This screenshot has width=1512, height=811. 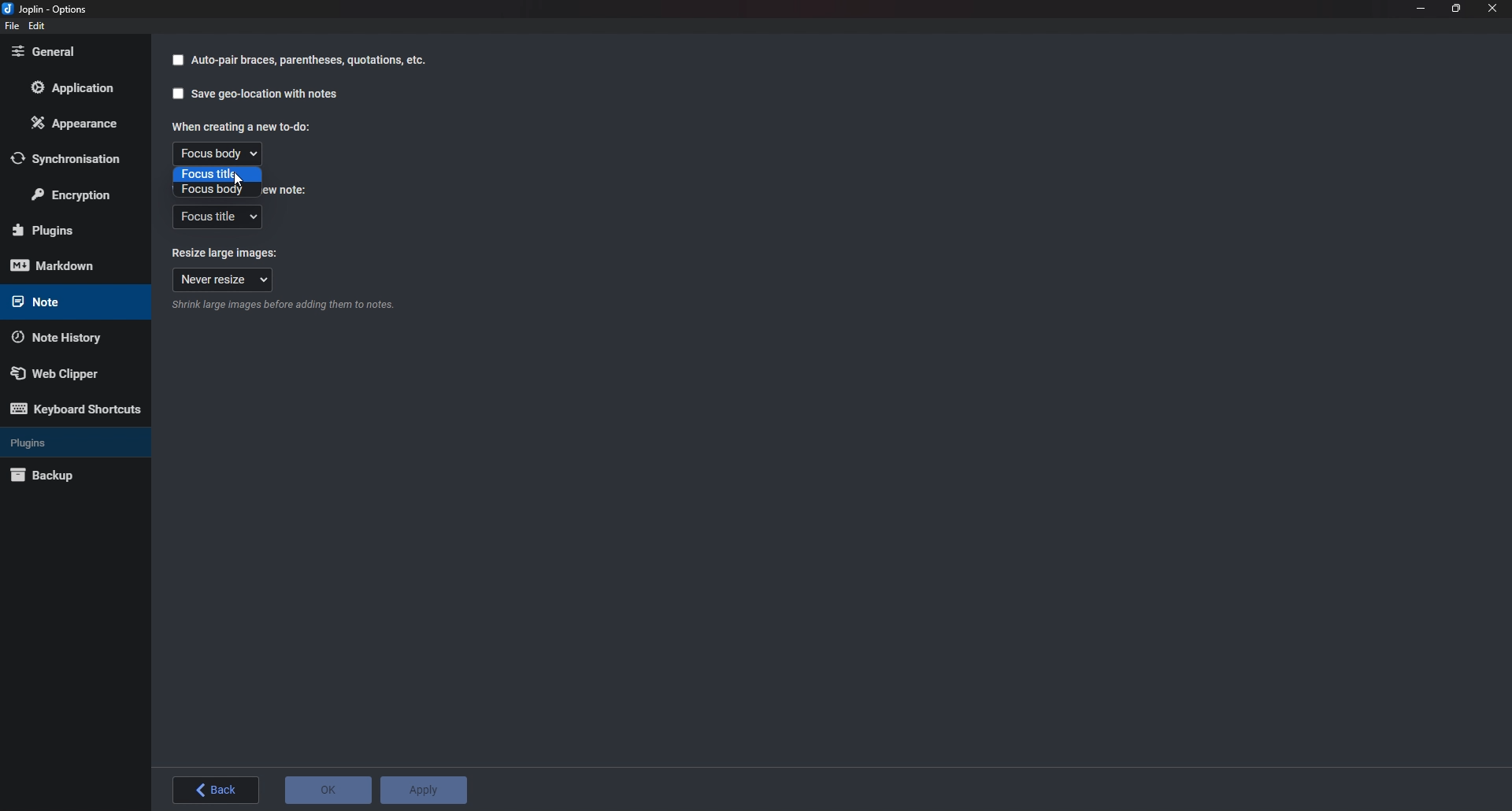 What do you see at coordinates (68, 302) in the screenshot?
I see `note` at bounding box center [68, 302].